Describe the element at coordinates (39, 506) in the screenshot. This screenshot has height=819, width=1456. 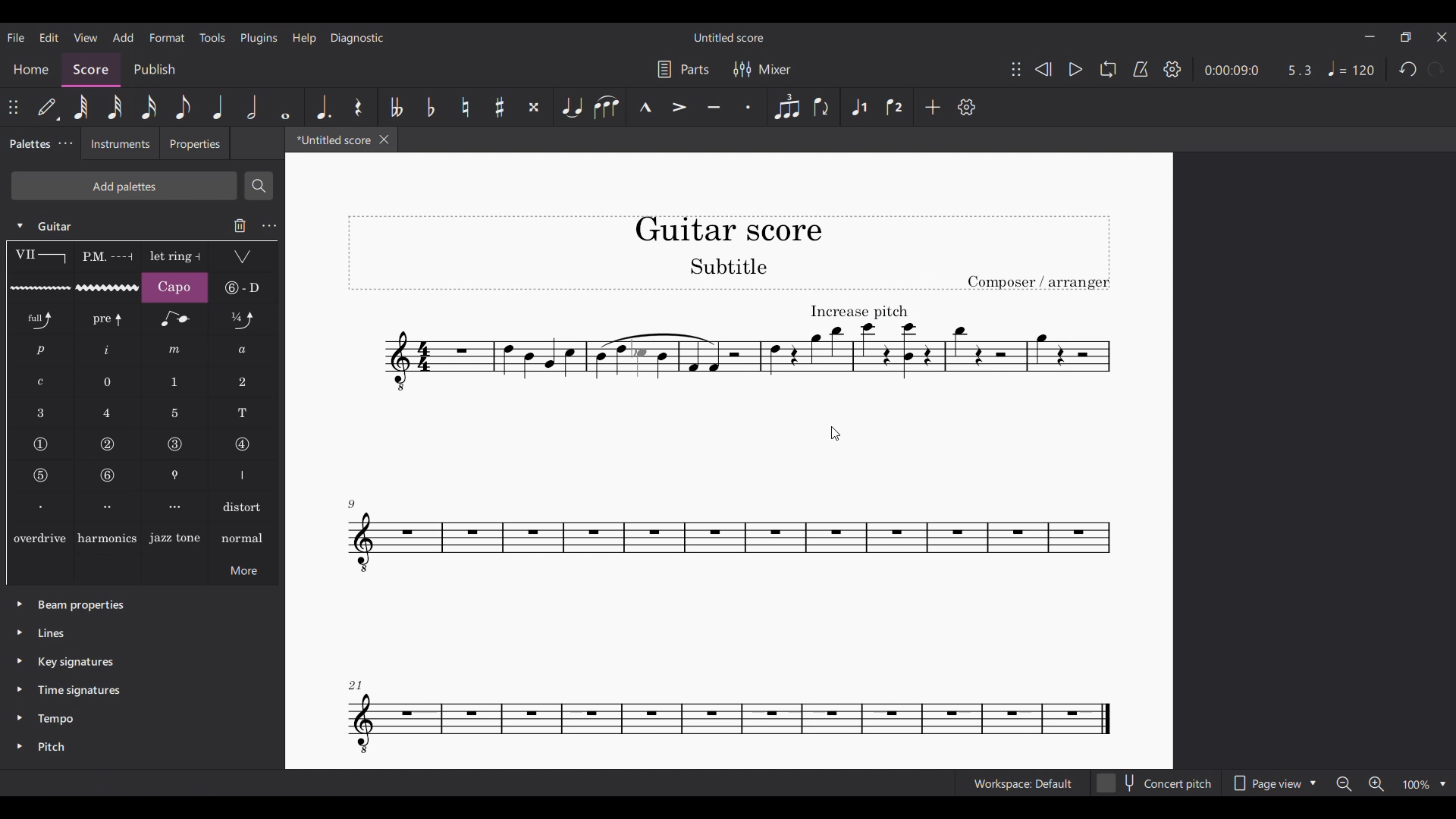
I see `Right hand fingering, first finger` at that location.